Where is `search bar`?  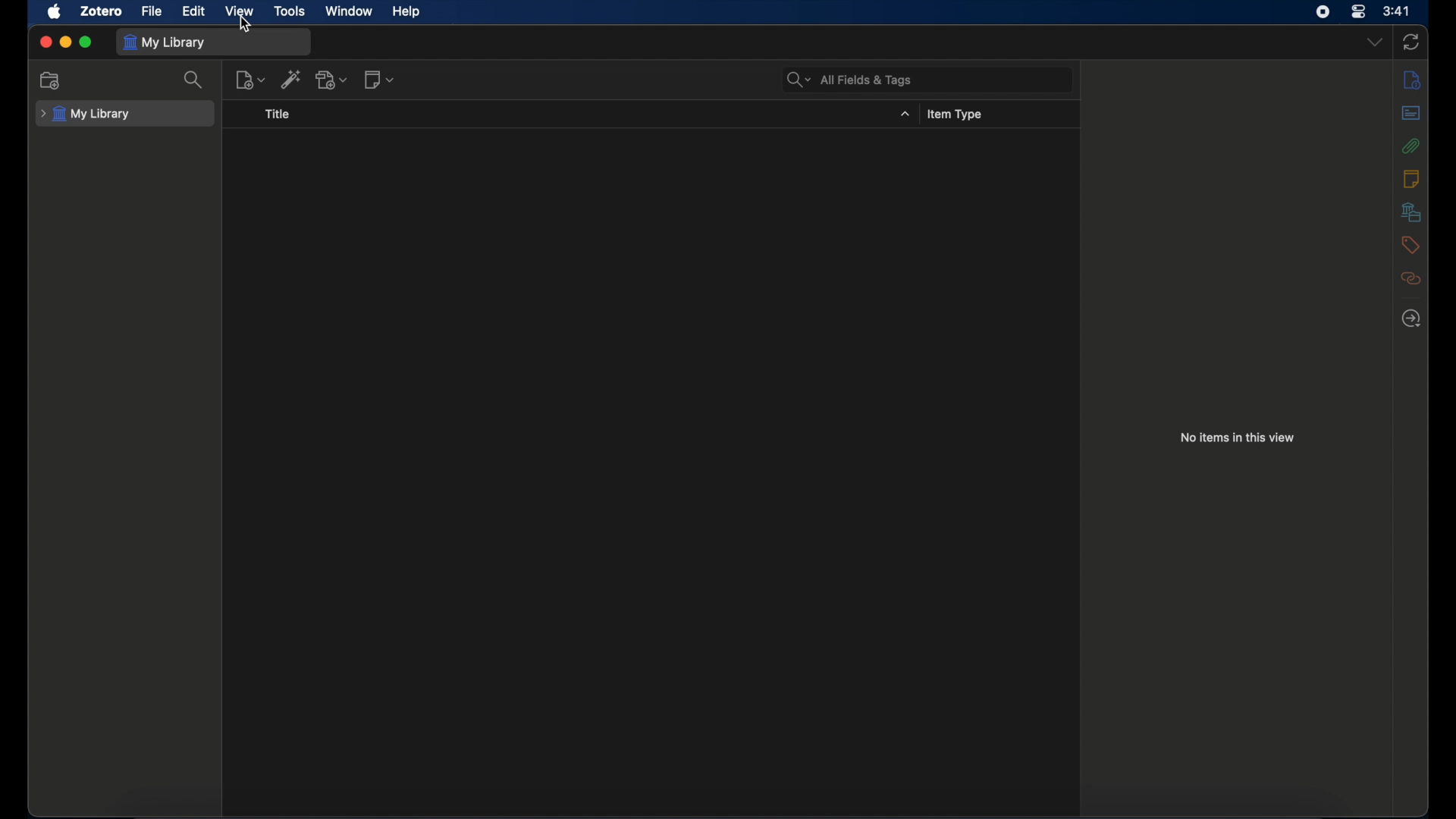 search bar is located at coordinates (850, 80).